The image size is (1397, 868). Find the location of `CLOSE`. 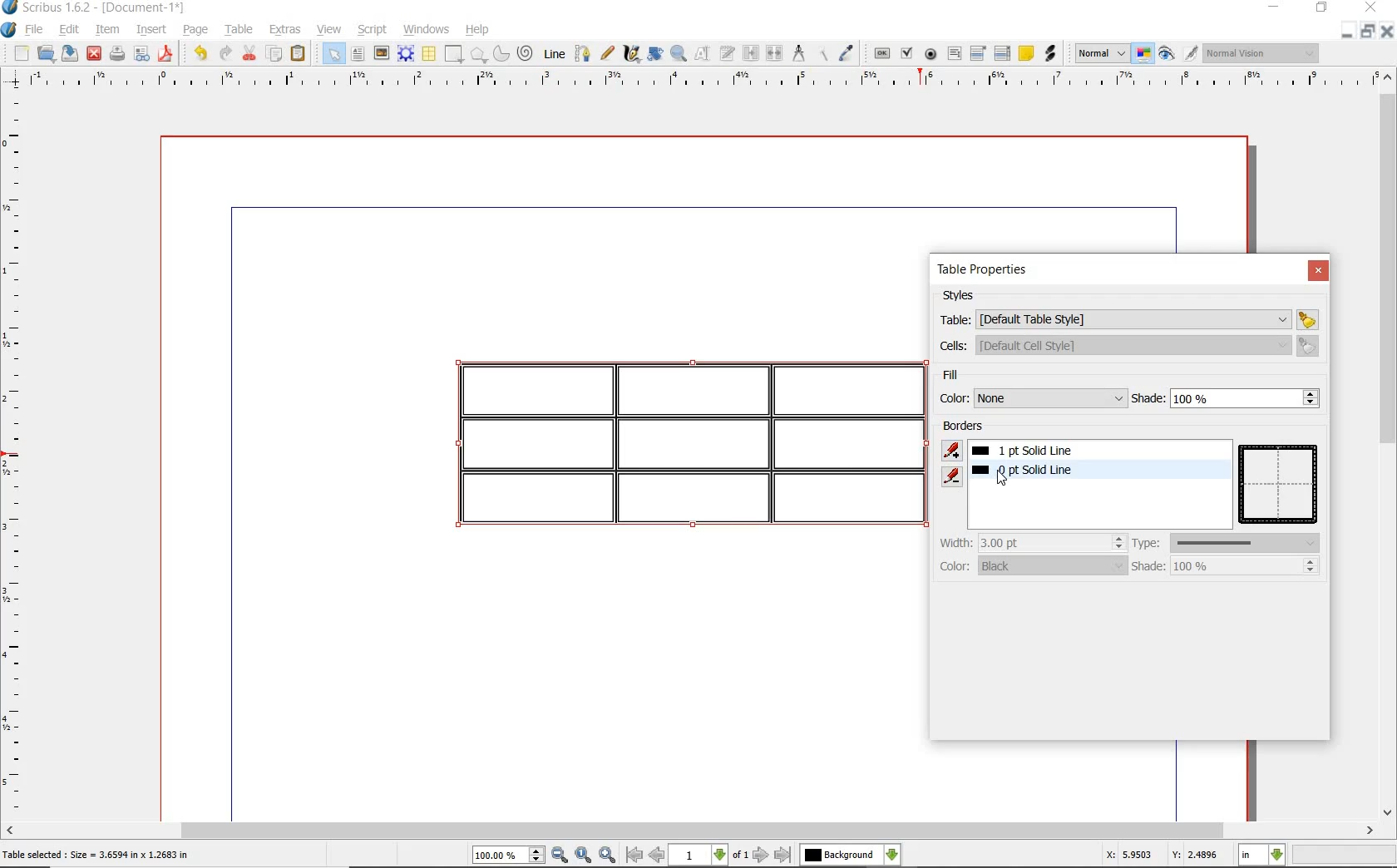

CLOSE is located at coordinates (1371, 7).